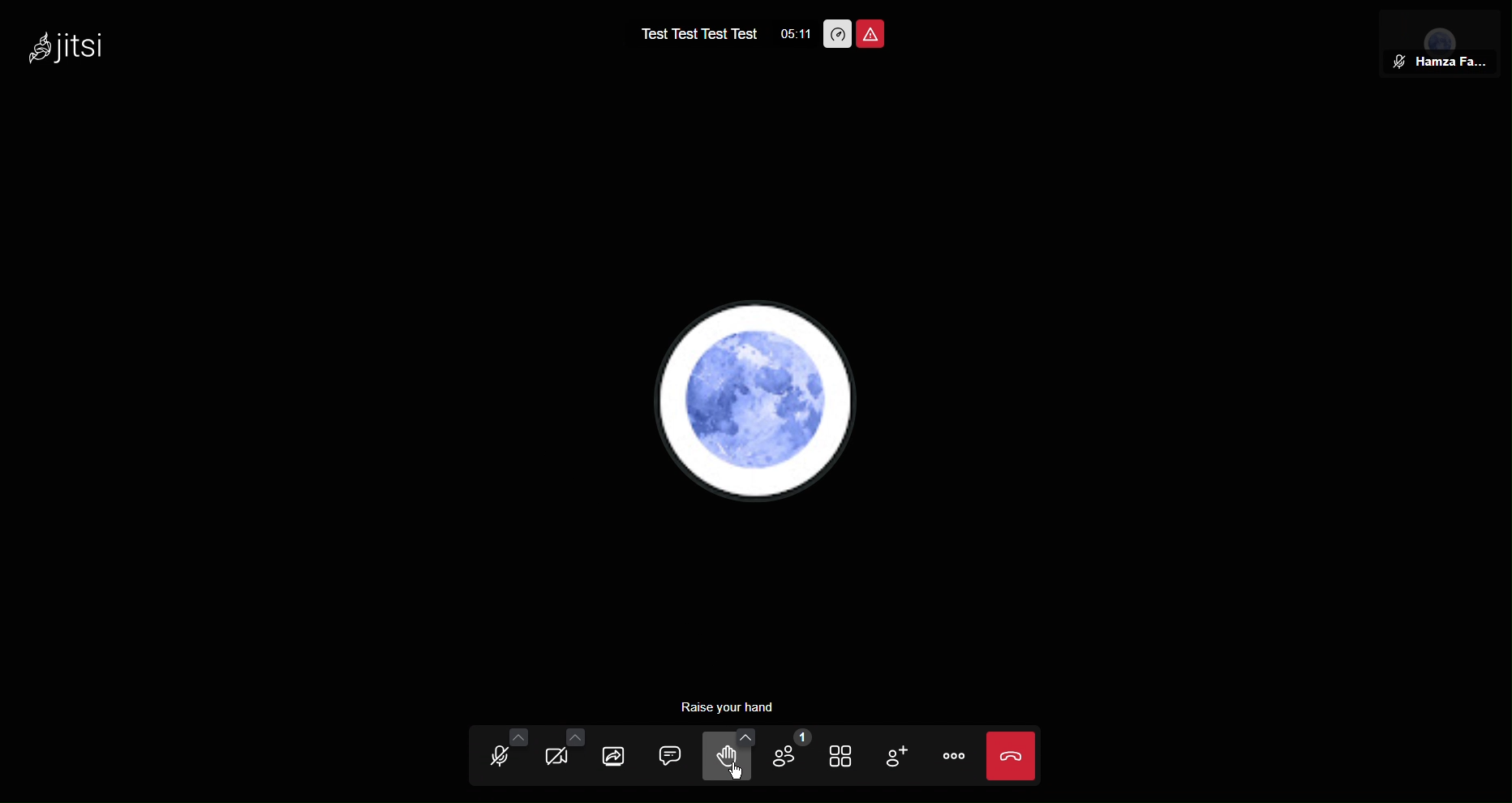  I want to click on Comments, so click(674, 753).